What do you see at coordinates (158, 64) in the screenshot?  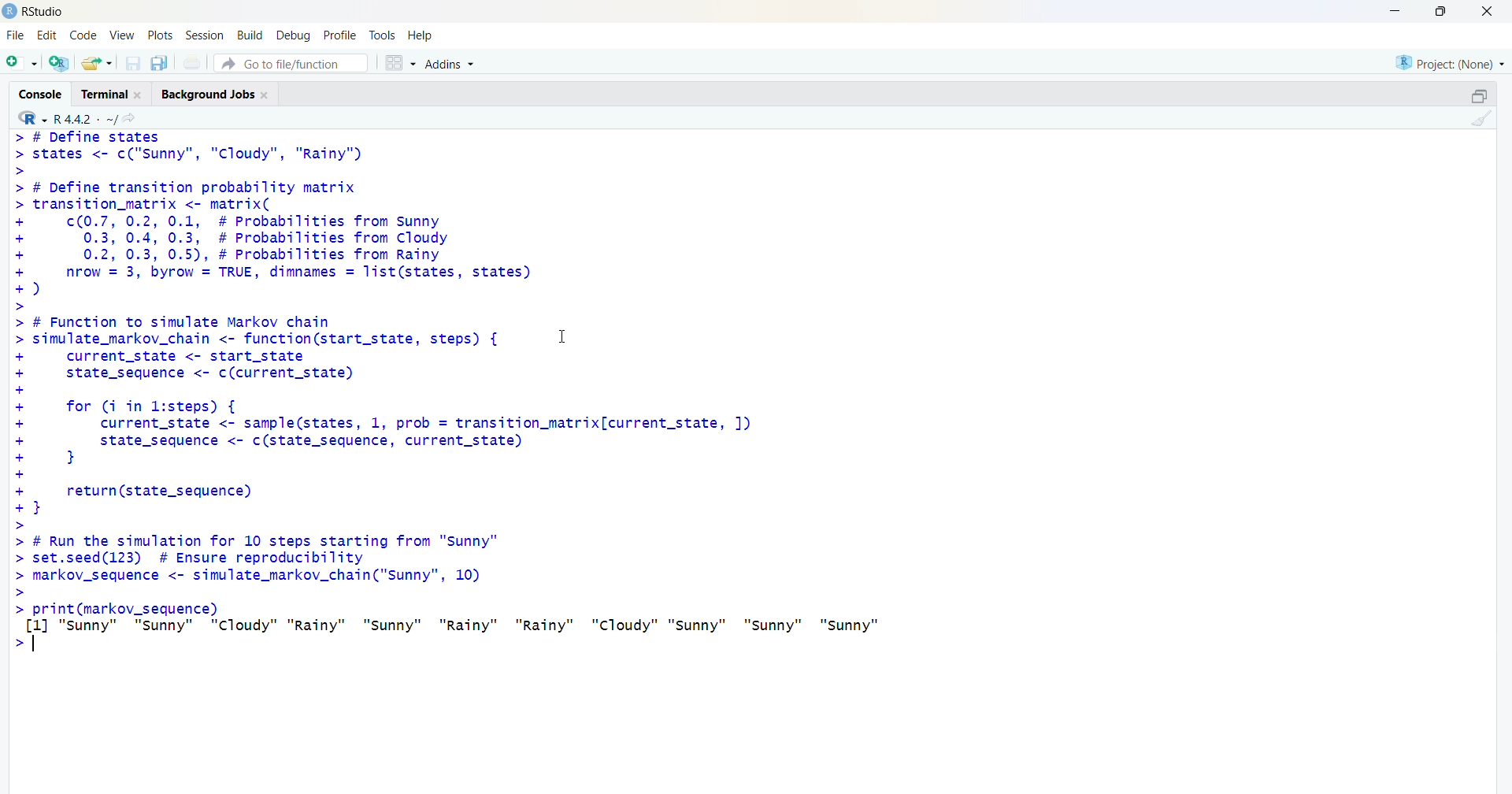 I see `save all open document` at bounding box center [158, 64].